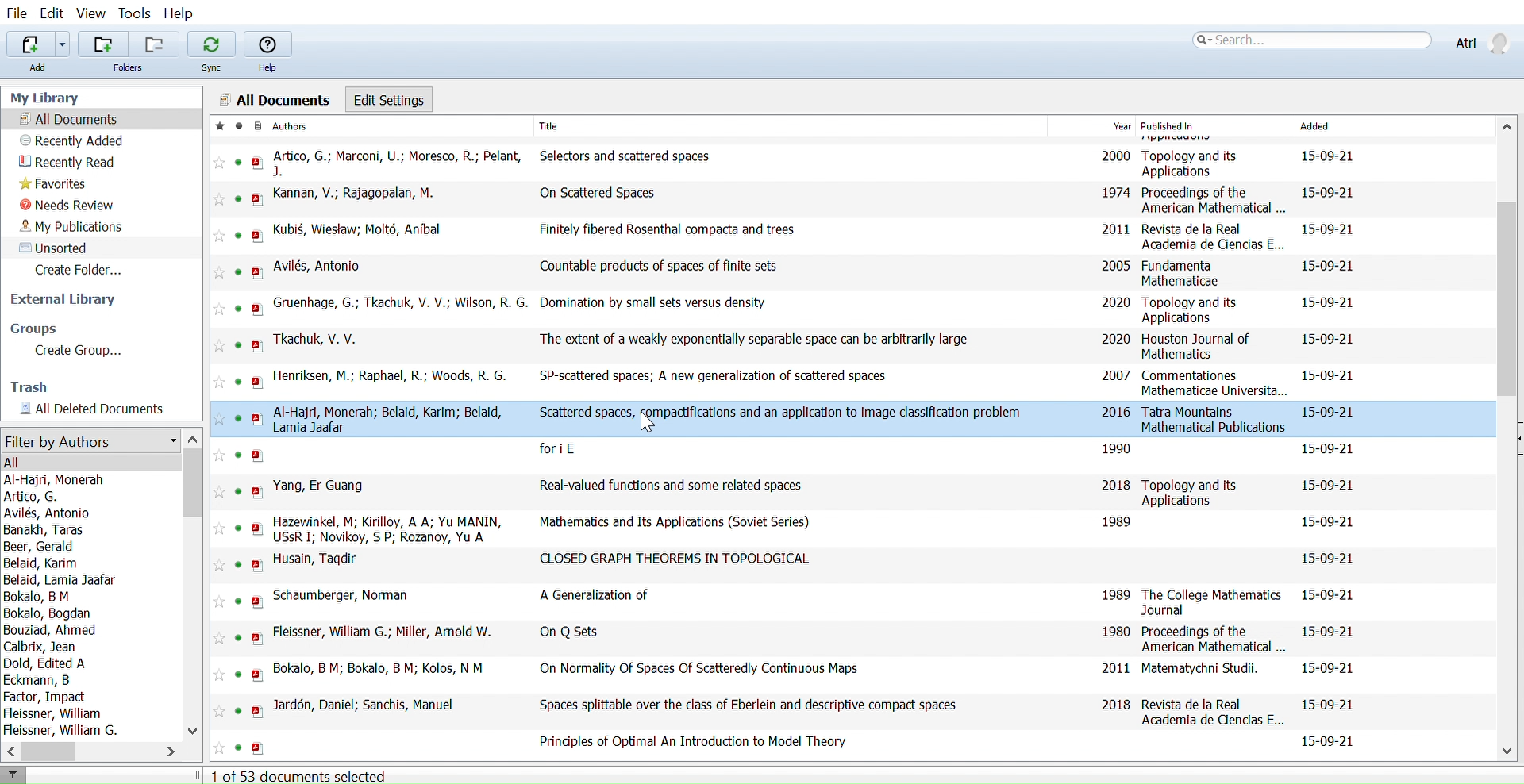 The image size is (1524, 784). I want to click on Eckmann, B, so click(37, 680).